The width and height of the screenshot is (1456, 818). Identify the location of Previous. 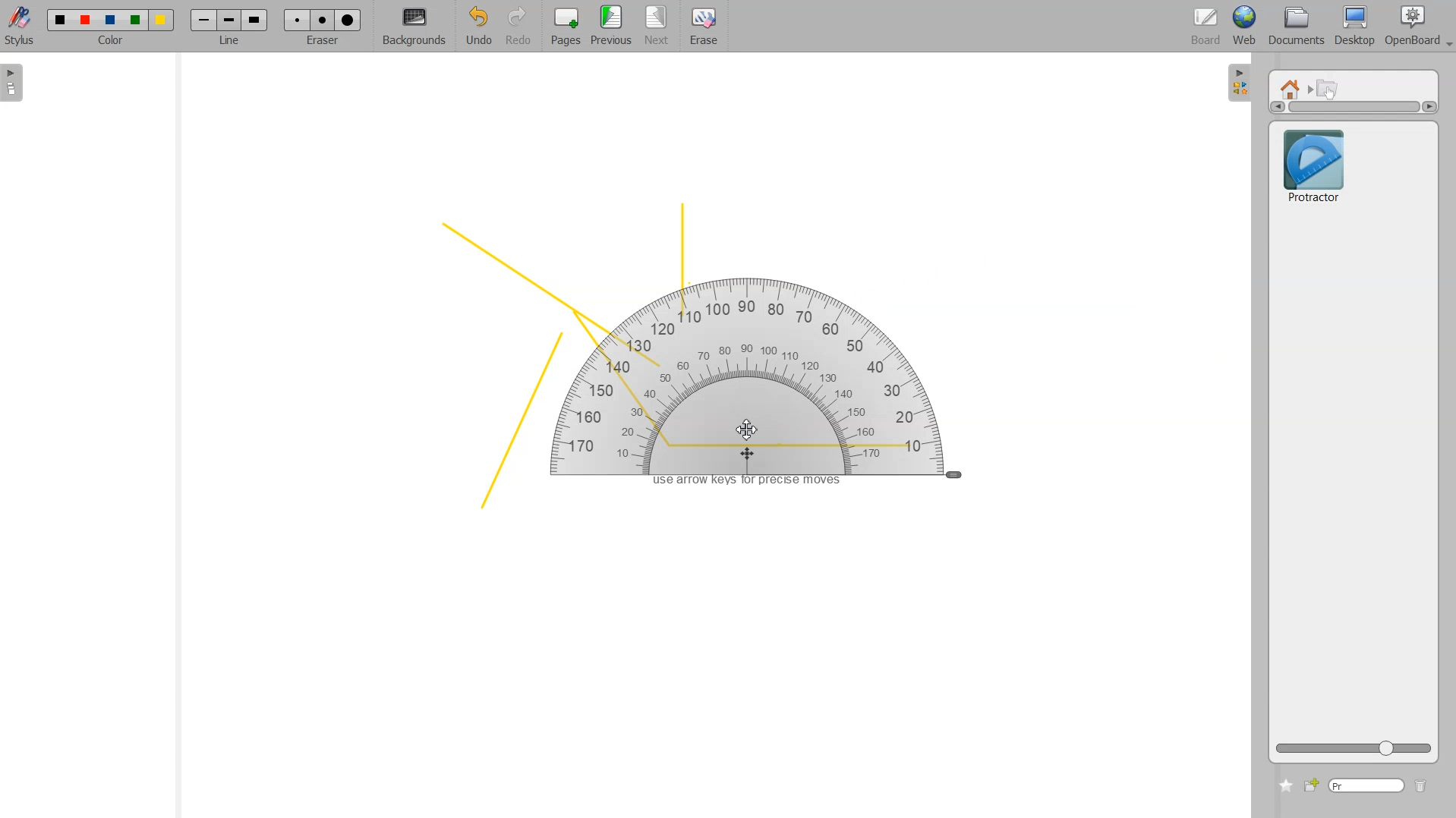
(613, 27).